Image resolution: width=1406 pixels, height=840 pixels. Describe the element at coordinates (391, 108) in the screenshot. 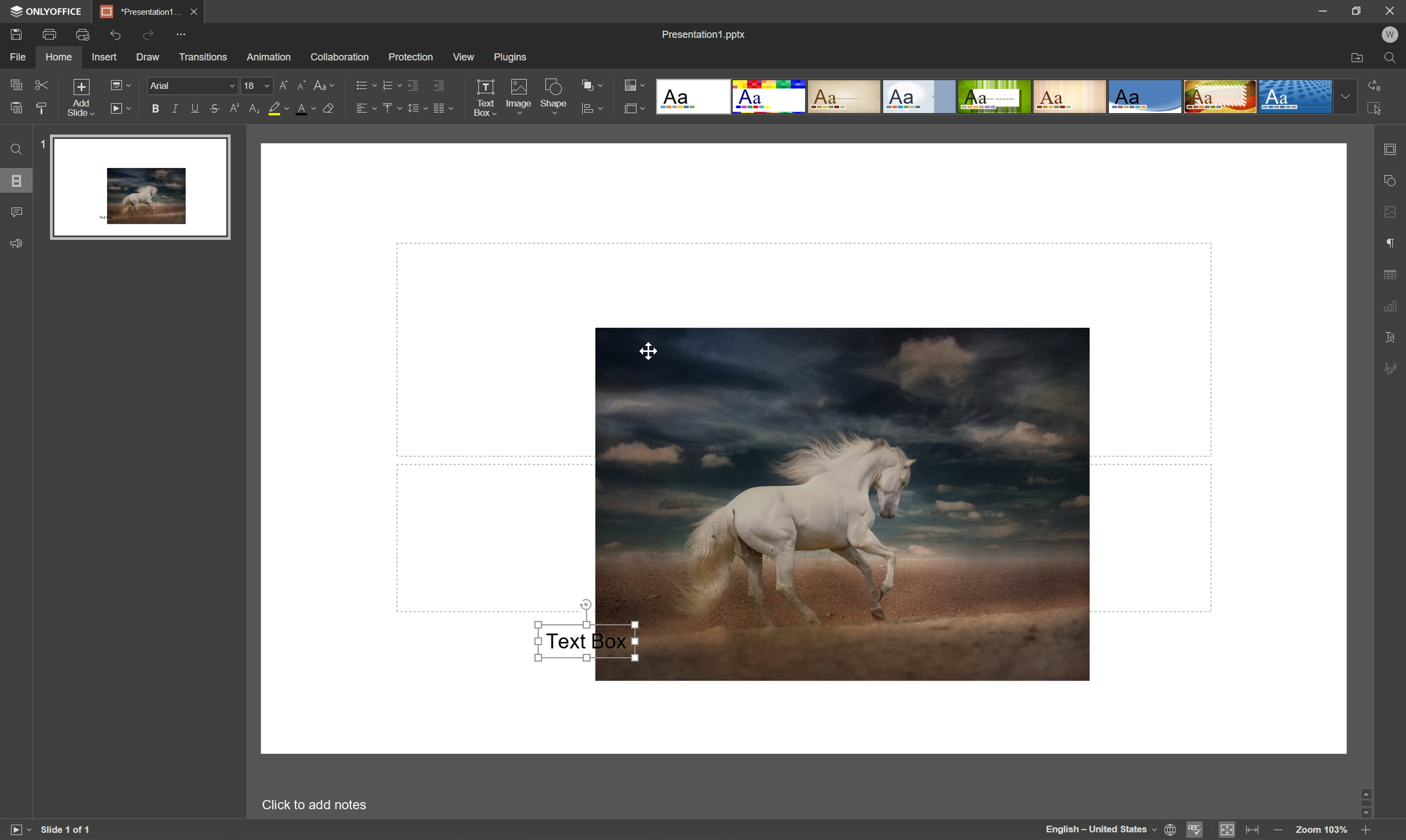

I see `Vertical align` at that location.